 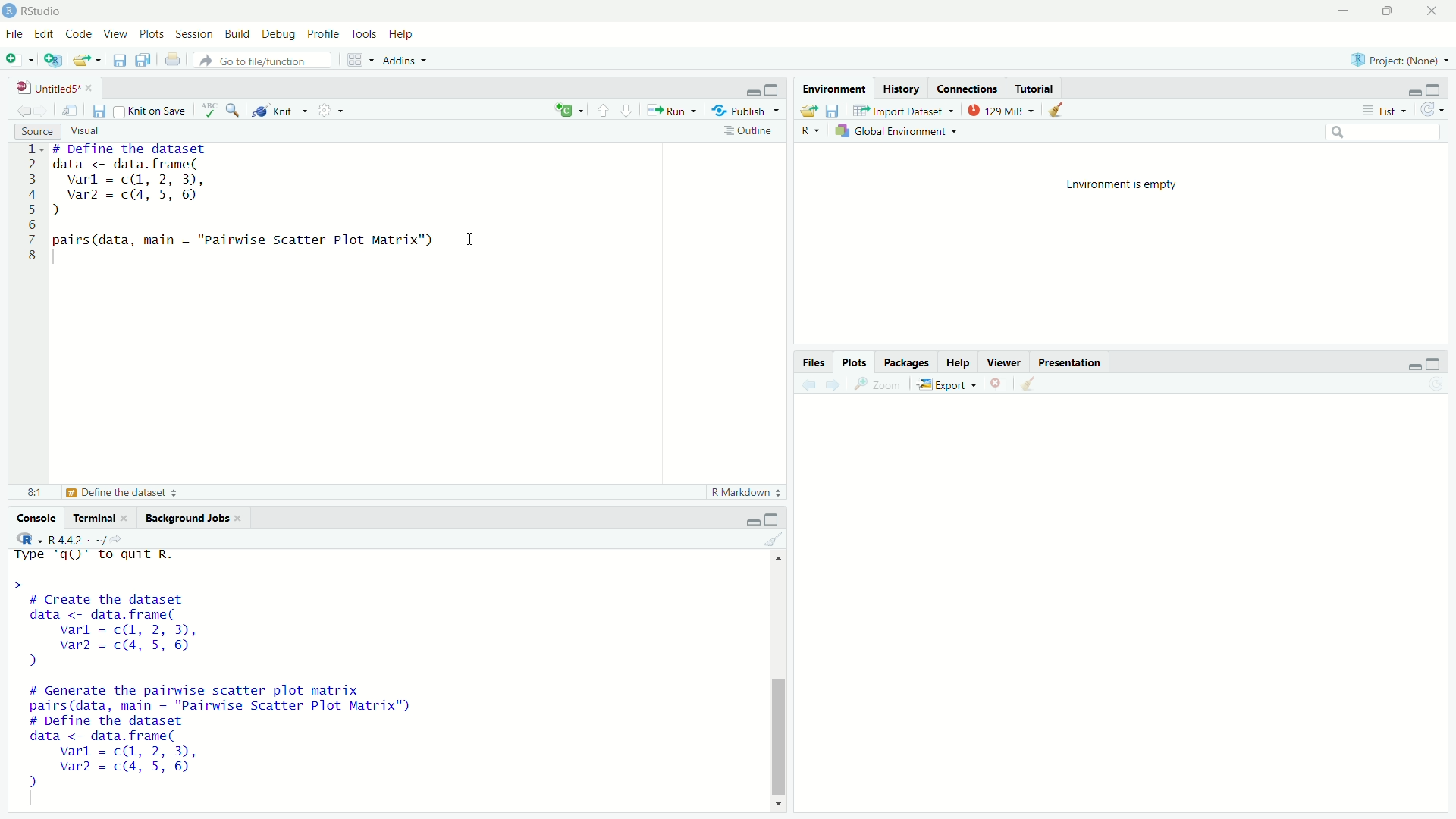 I want to click on Environment is empty, so click(x=1124, y=184).